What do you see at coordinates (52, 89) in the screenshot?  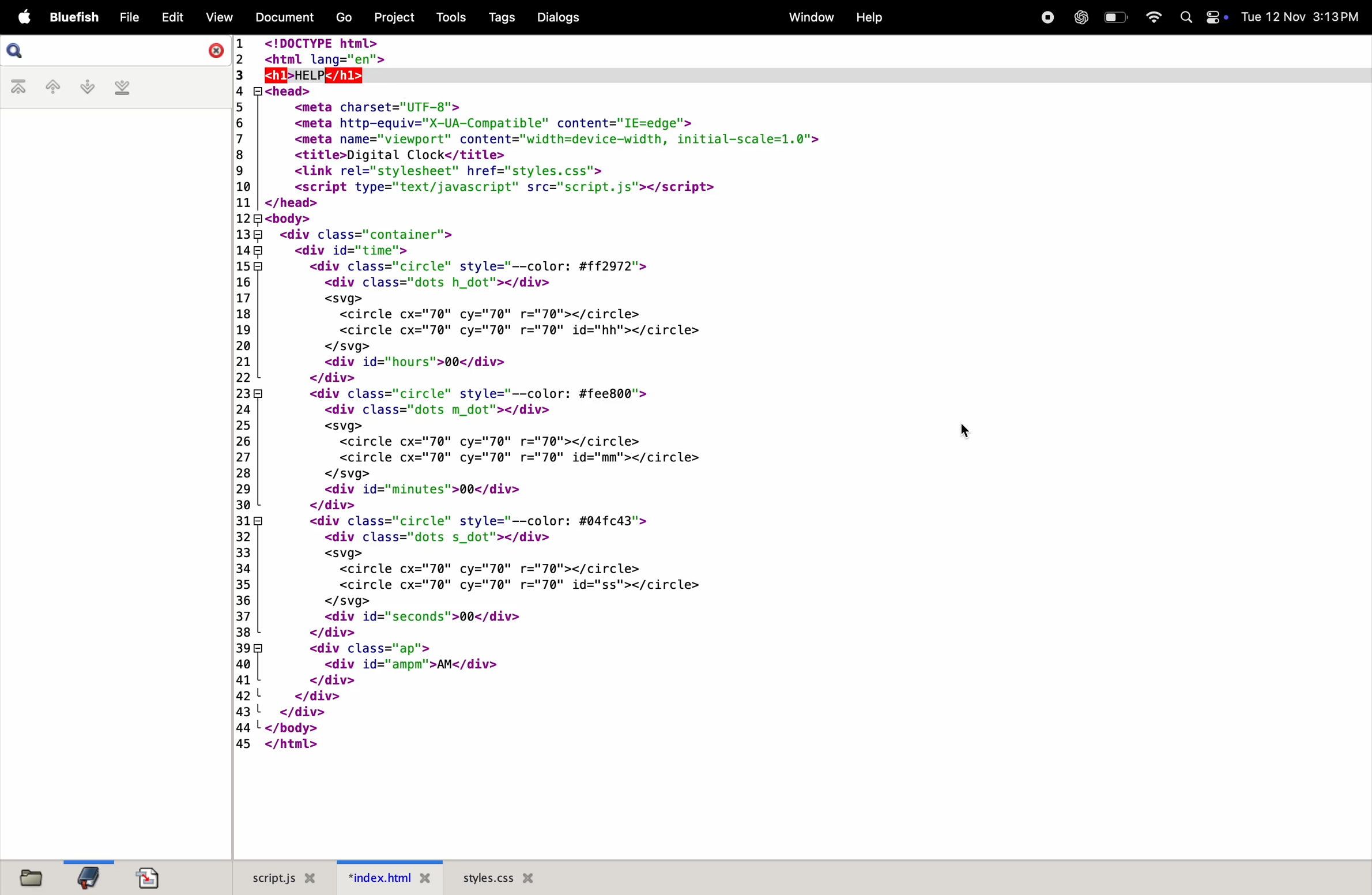 I see `previous book mark` at bounding box center [52, 89].